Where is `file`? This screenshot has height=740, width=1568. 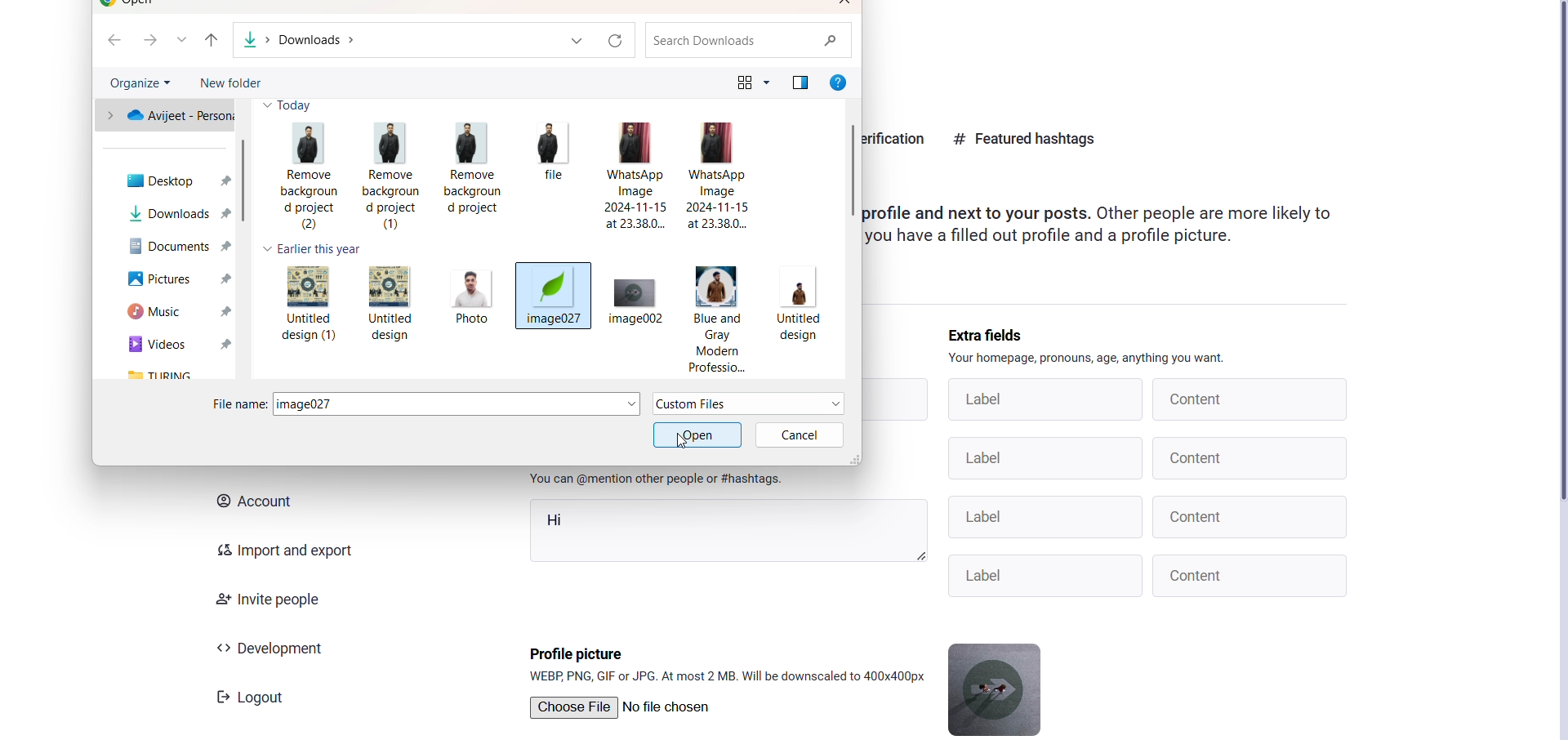
file is located at coordinates (553, 172).